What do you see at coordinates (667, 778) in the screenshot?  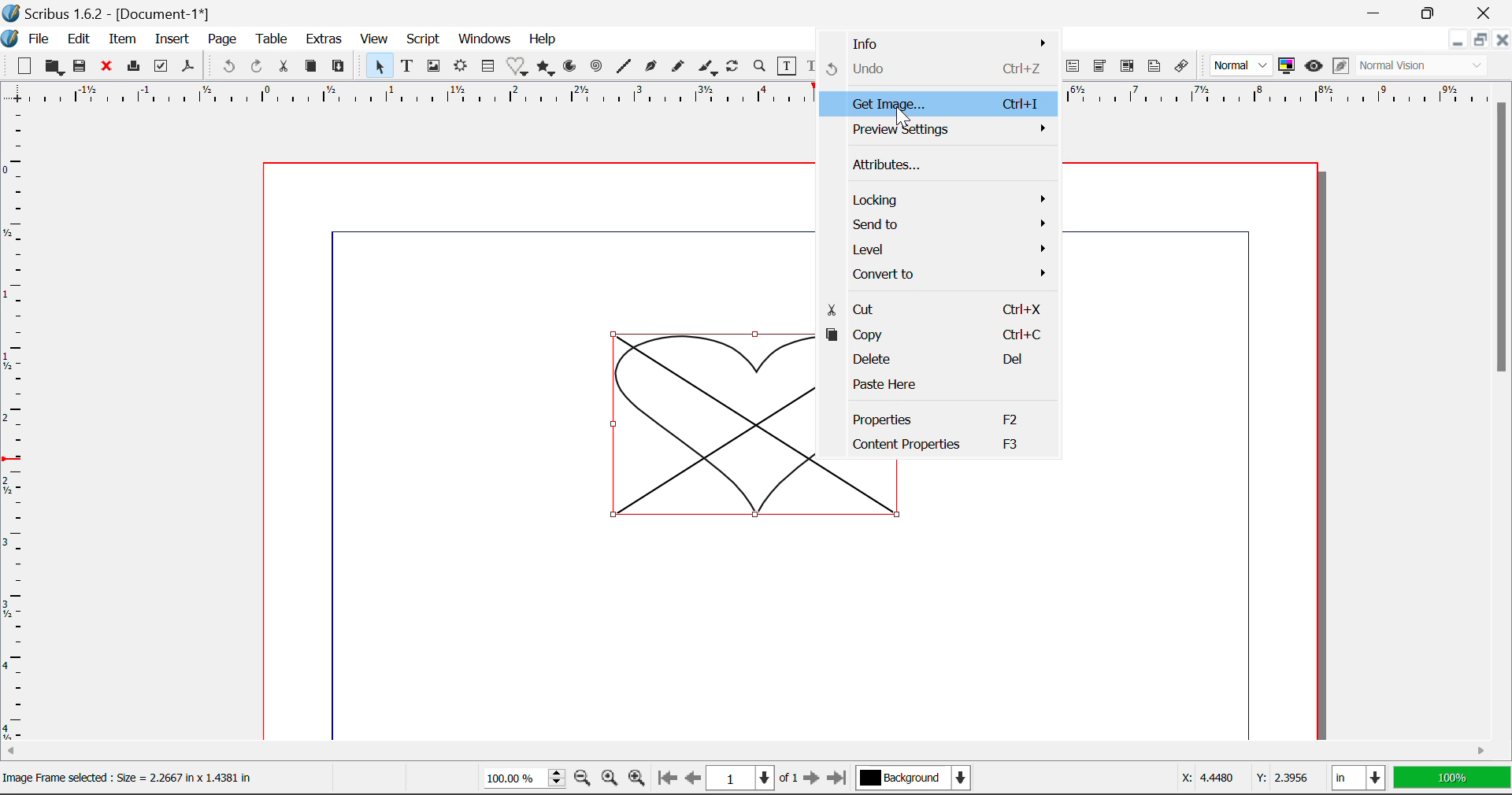 I see `First Page` at bounding box center [667, 778].